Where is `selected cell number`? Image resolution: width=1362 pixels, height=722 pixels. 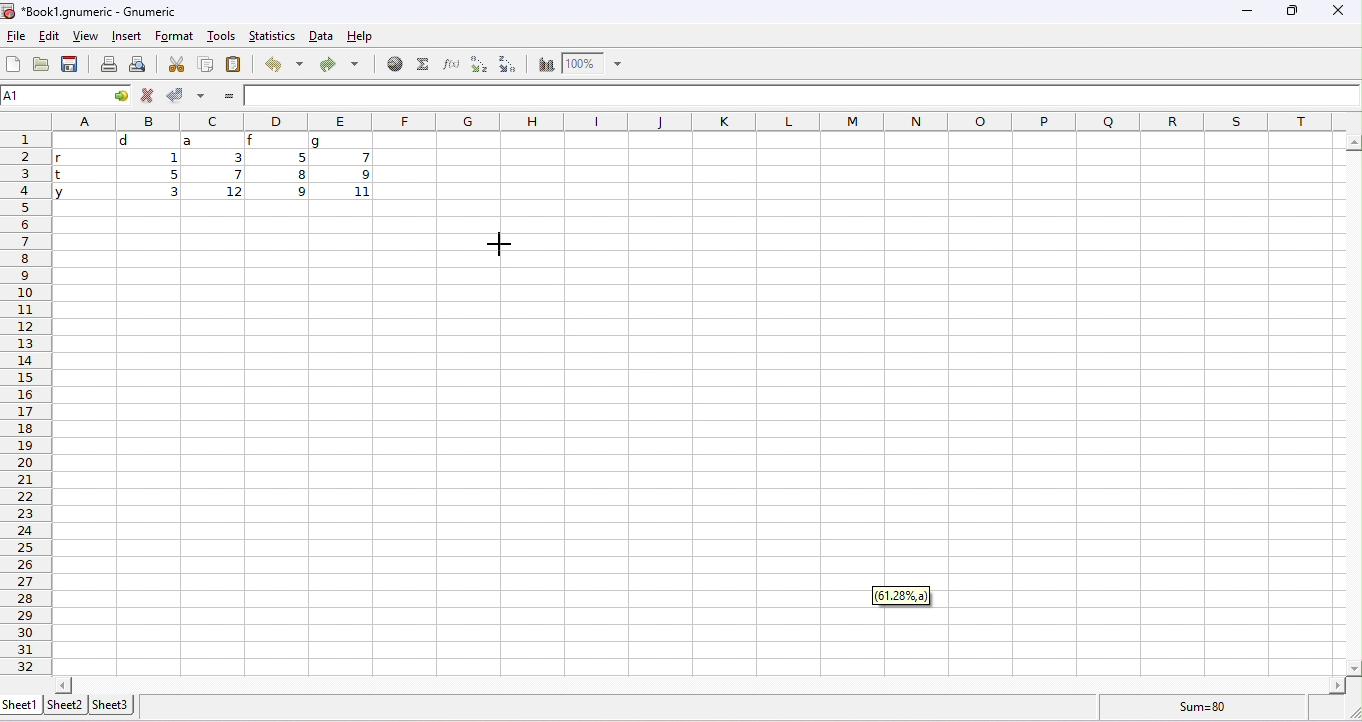 selected cell number is located at coordinates (52, 96).